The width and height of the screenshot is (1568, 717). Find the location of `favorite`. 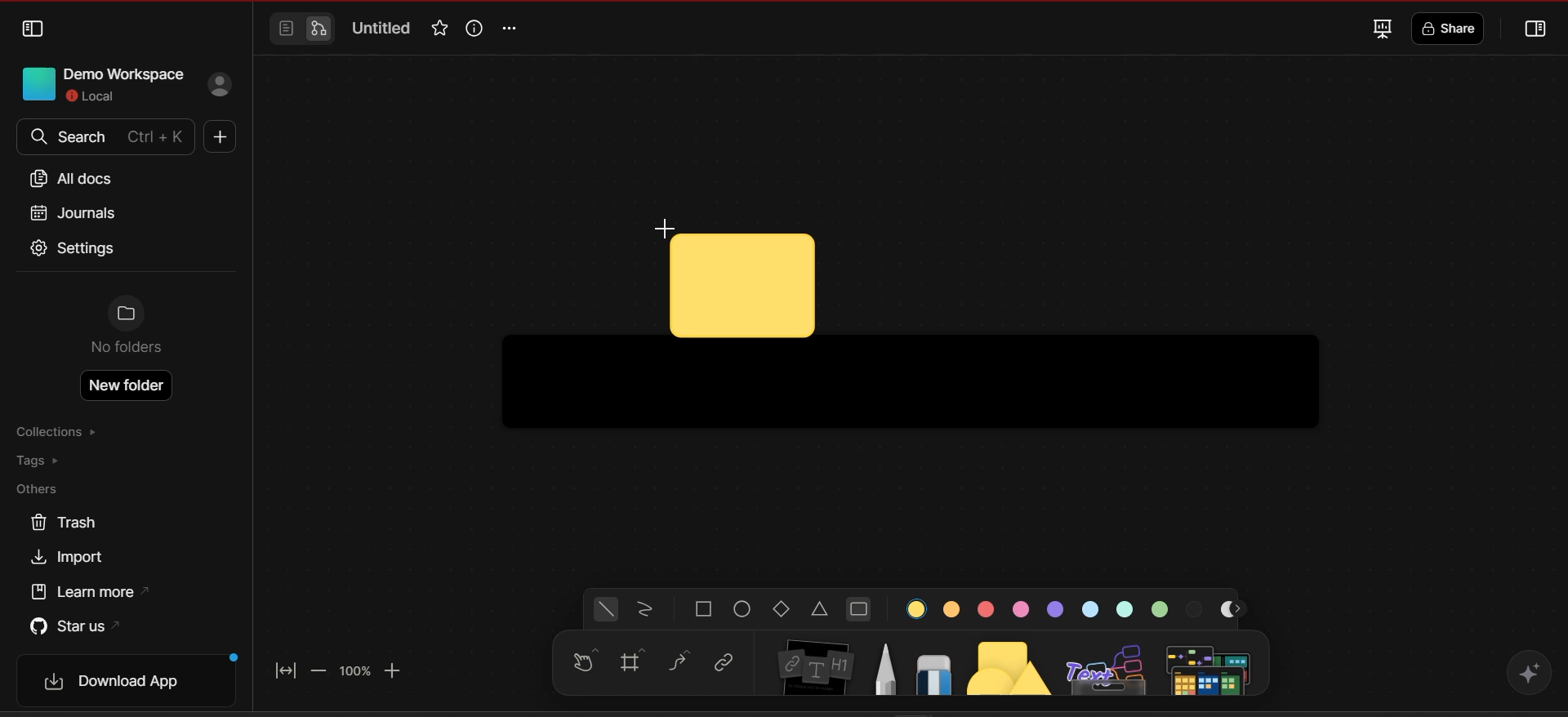

favorite is located at coordinates (437, 29).